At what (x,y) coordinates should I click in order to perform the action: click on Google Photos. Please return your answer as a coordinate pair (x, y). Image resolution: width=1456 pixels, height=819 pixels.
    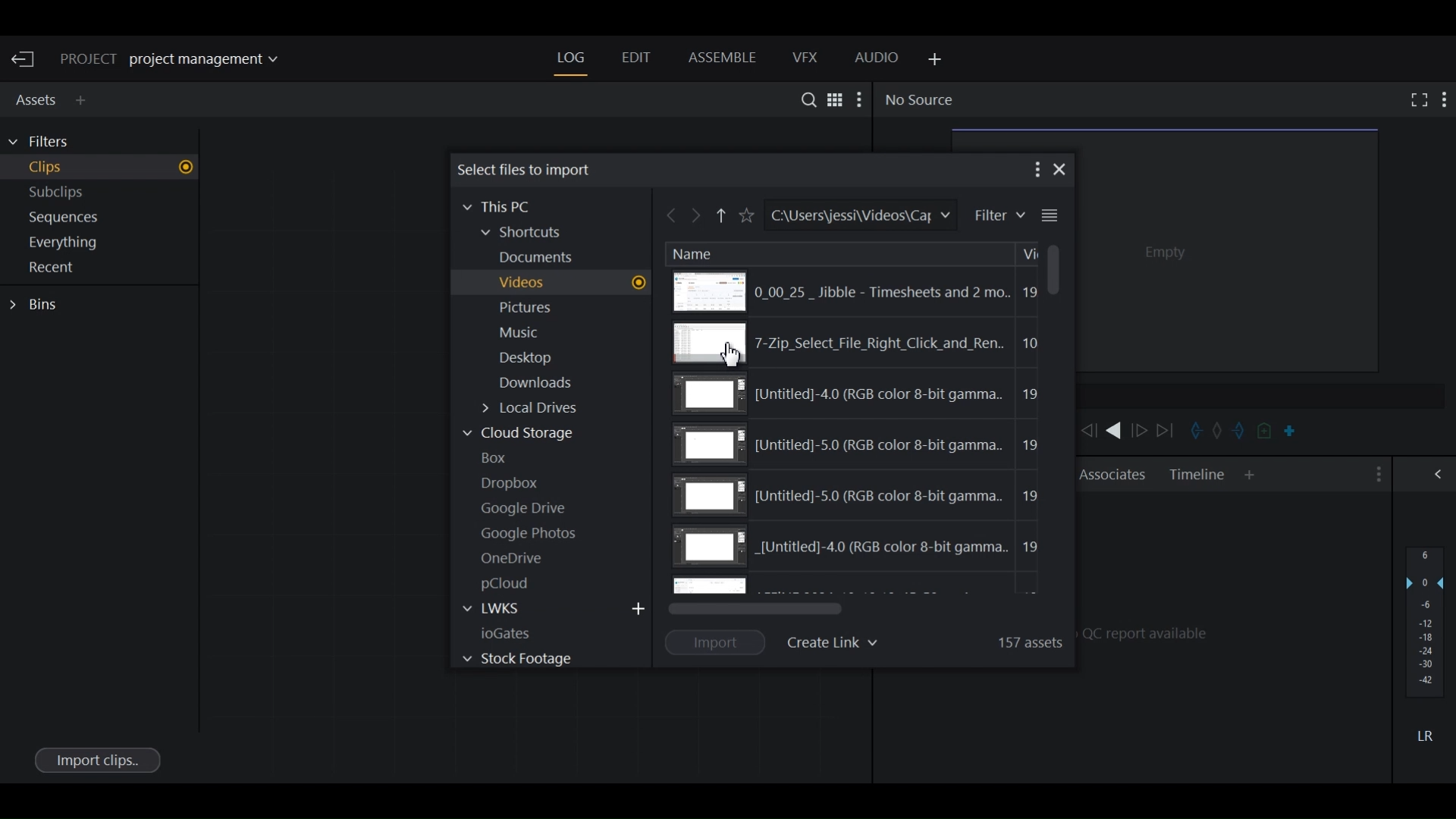
    Looking at the image, I should click on (533, 533).